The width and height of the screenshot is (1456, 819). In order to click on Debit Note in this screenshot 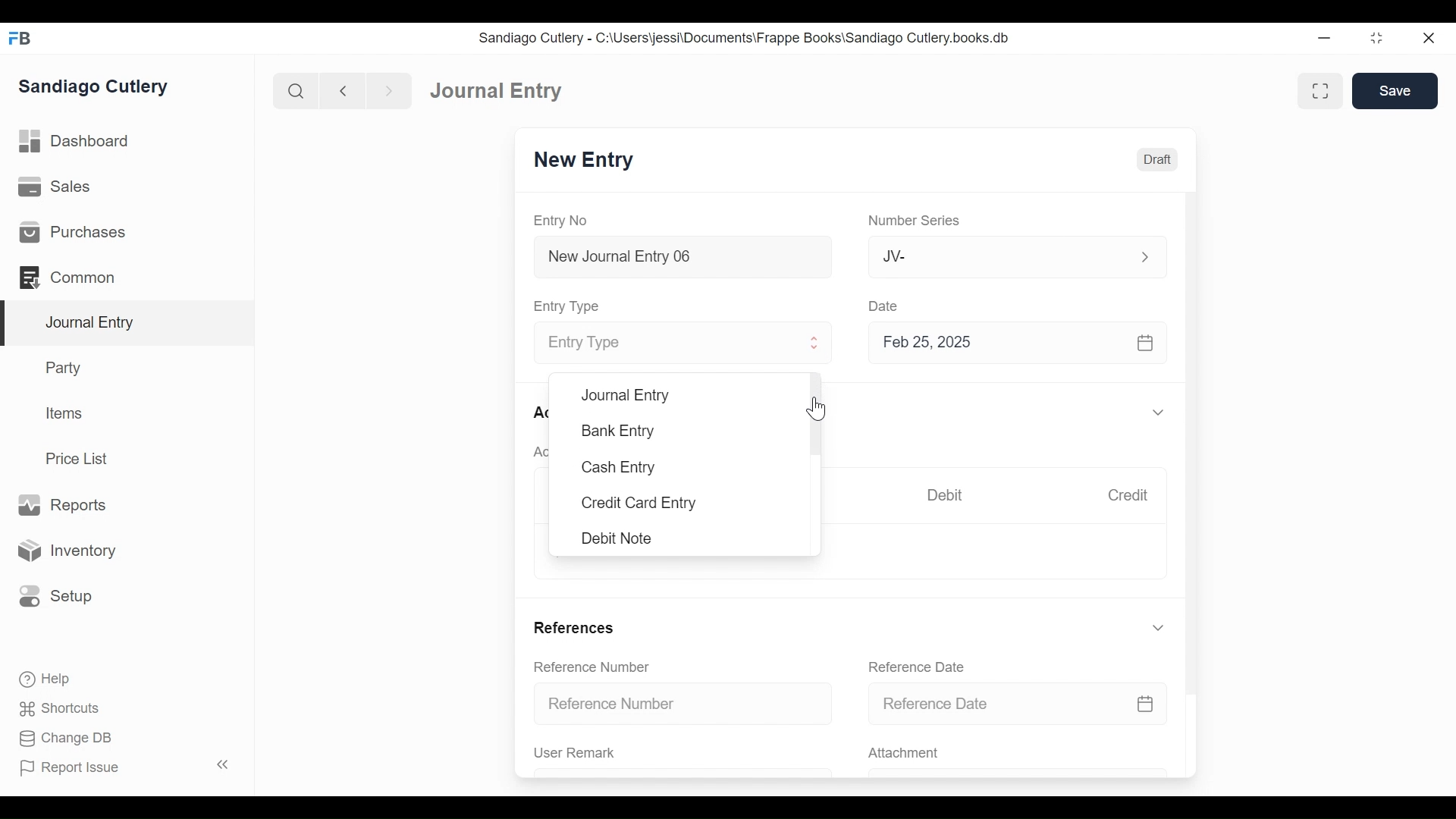, I will do `click(619, 538)`.